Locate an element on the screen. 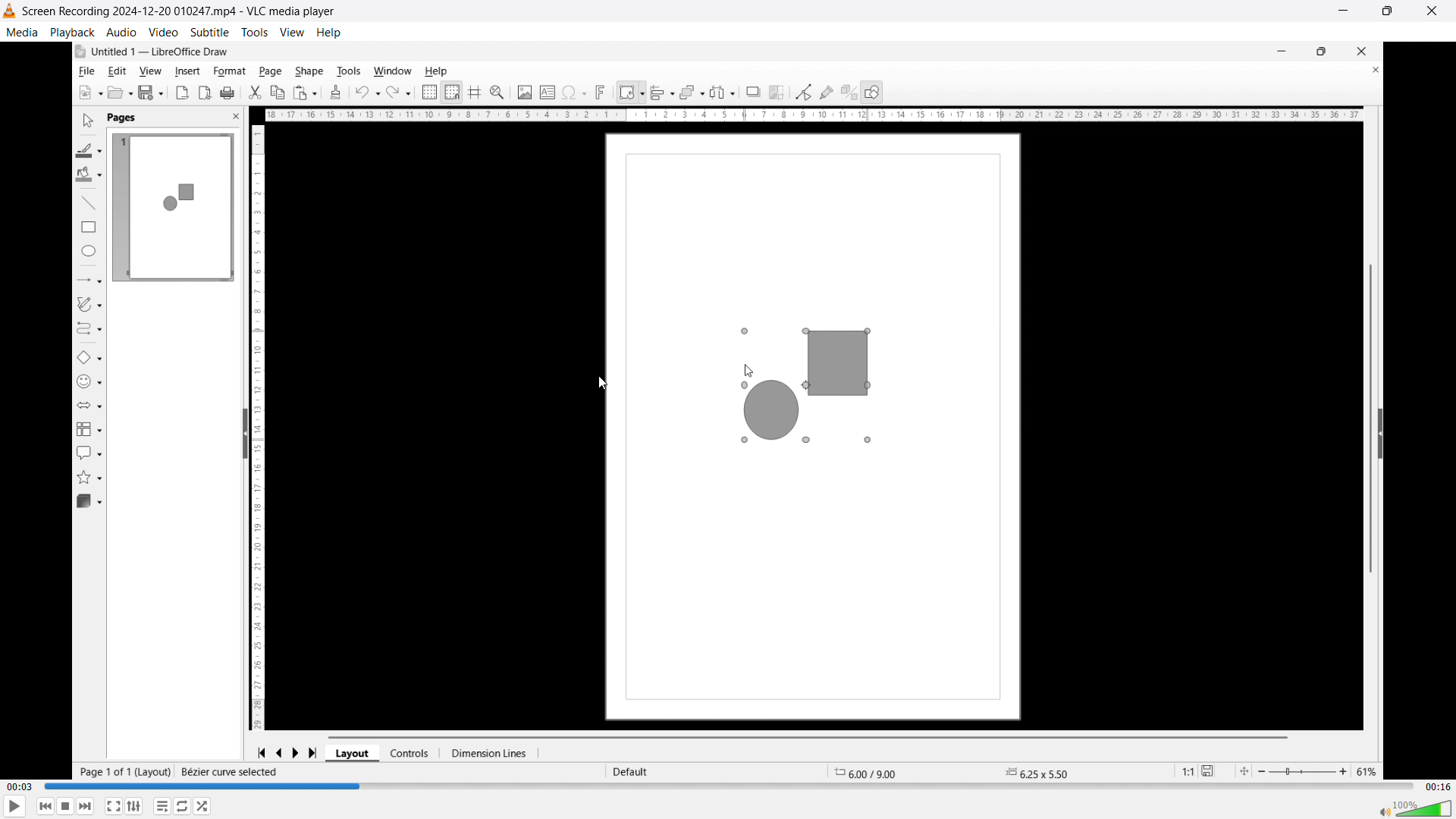  playback is located at coordinates (72, 32).